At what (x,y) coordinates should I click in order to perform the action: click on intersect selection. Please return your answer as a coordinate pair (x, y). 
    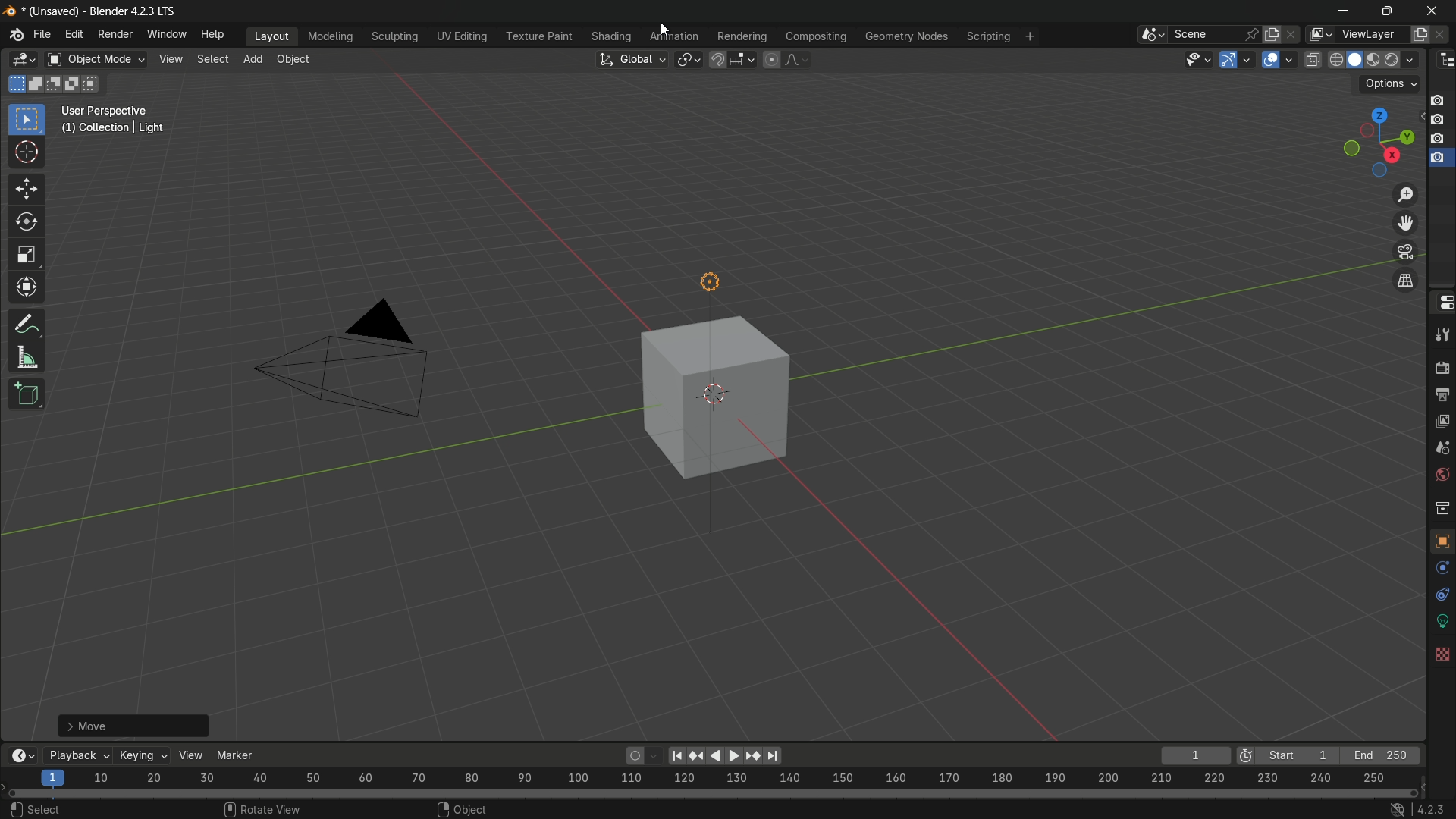
    Looking at the image, I should click on (96, 83).